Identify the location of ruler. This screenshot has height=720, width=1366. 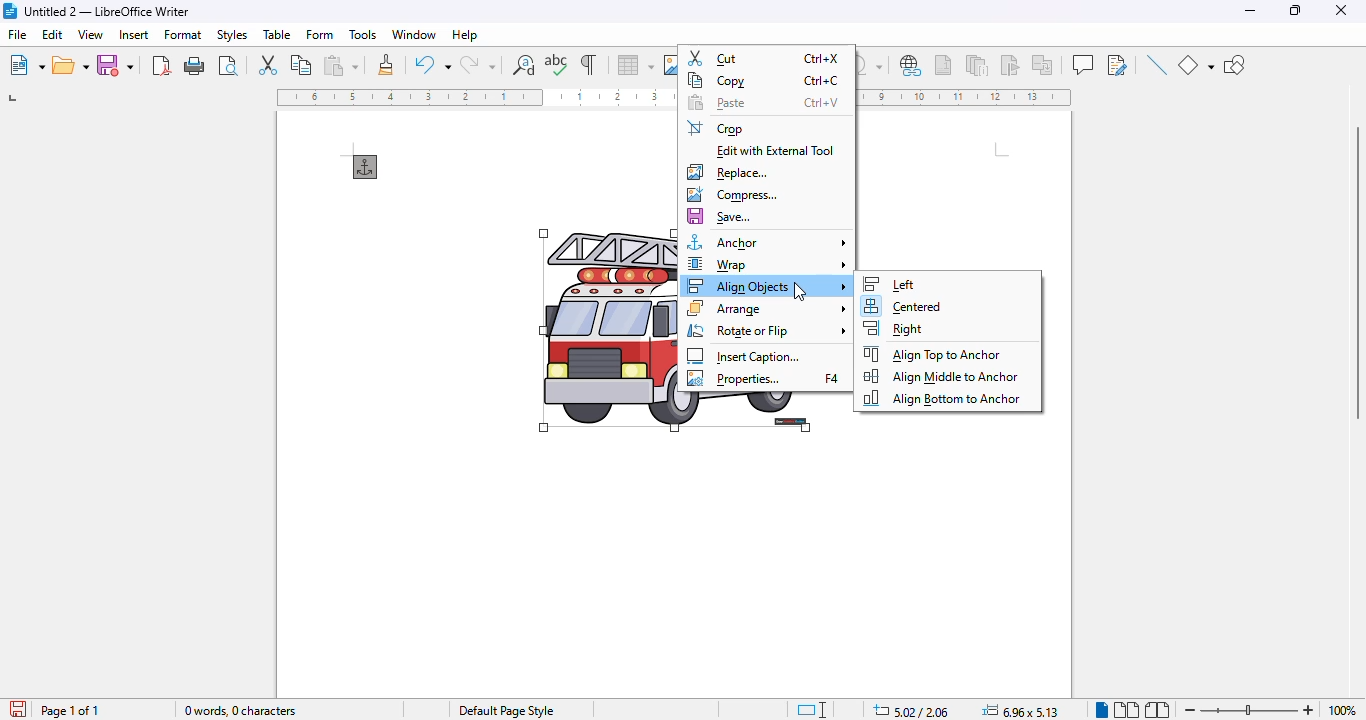
(967, 98).